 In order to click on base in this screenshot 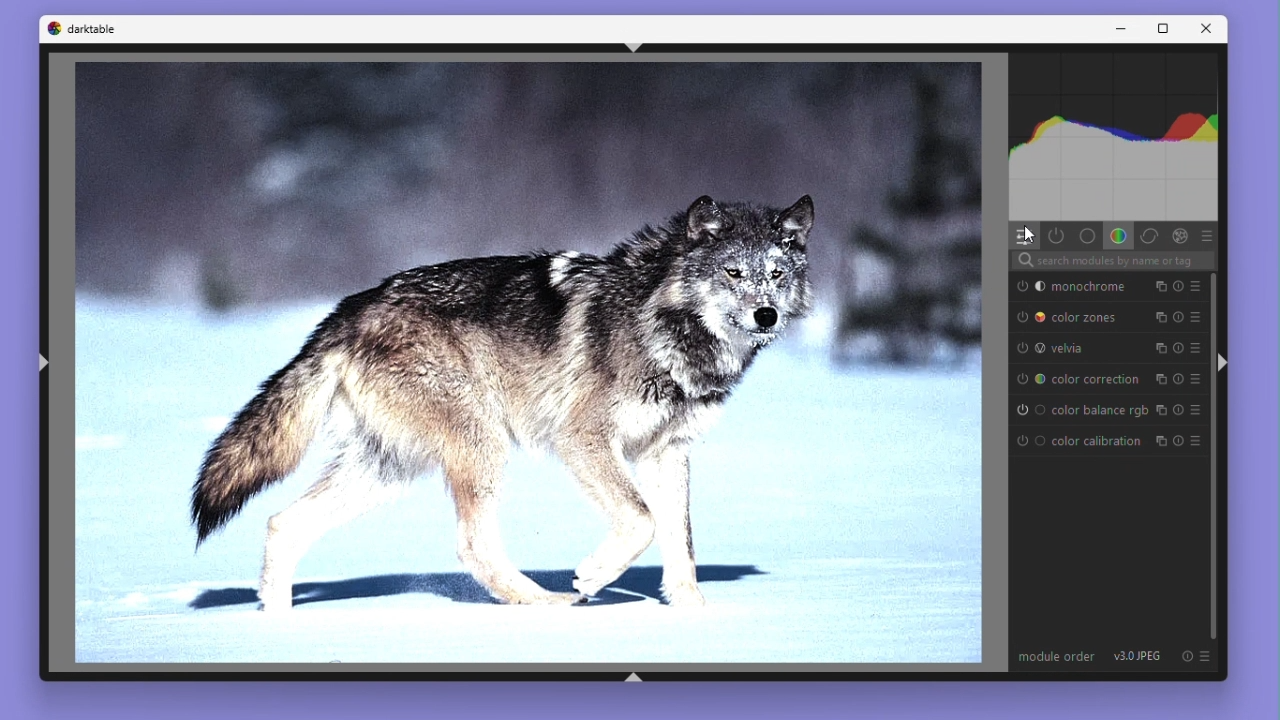, I will do `click(1086, 235)`.